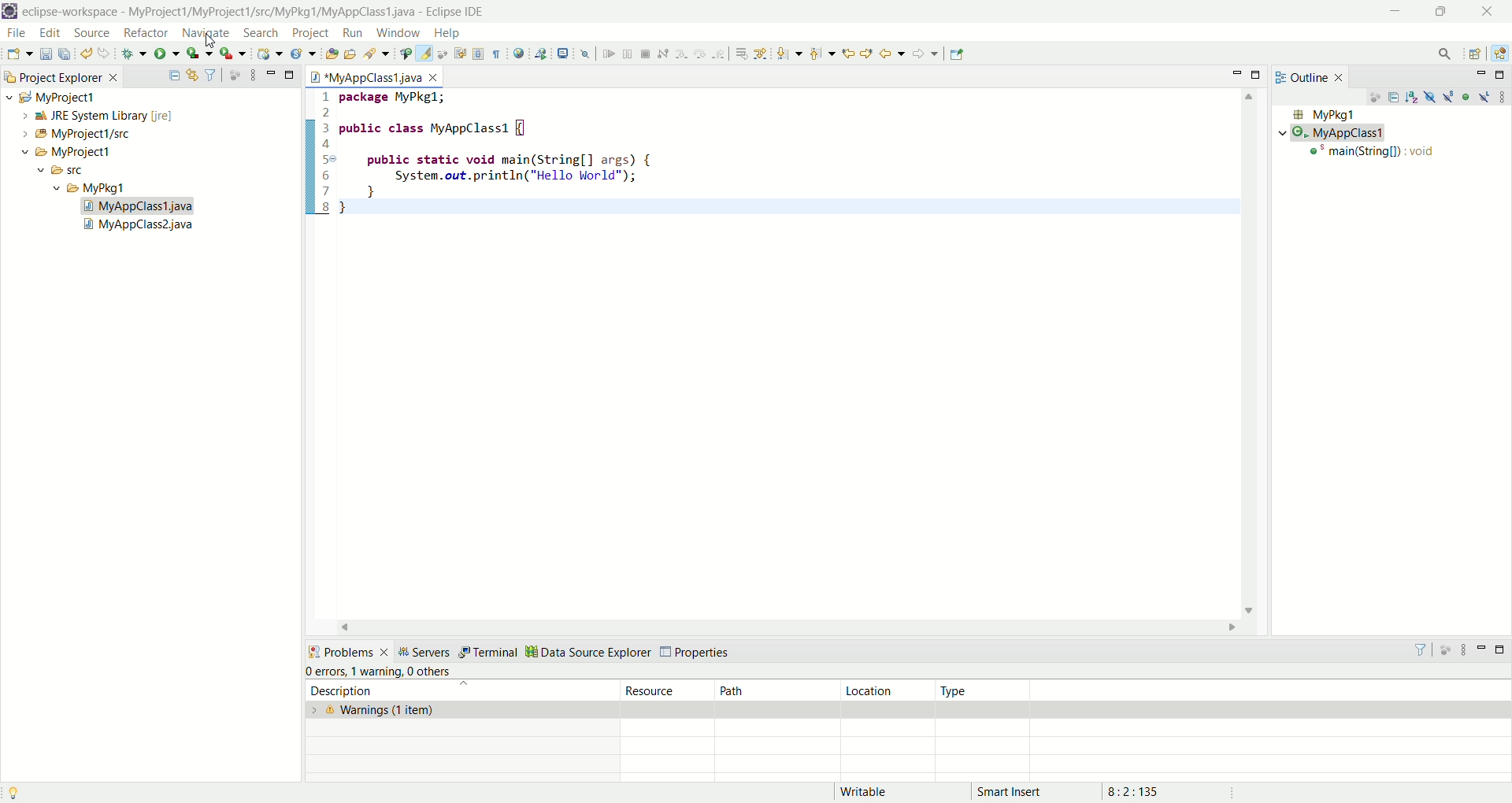 This screenshot has width=1512, height=803. I want to click on step return, so click(720, 56).